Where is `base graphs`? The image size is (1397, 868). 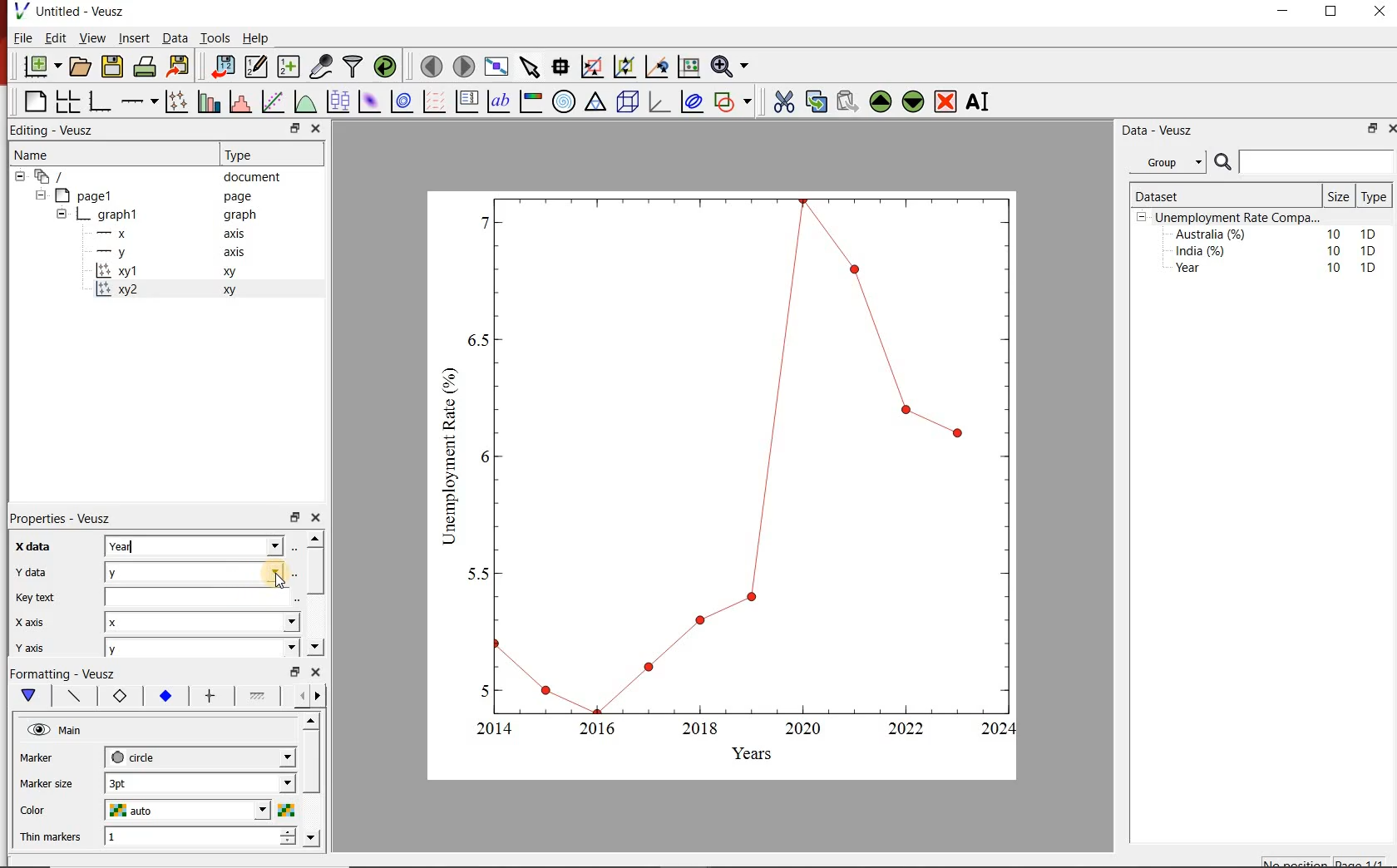 base graphs is located at coordinates (101, 101).